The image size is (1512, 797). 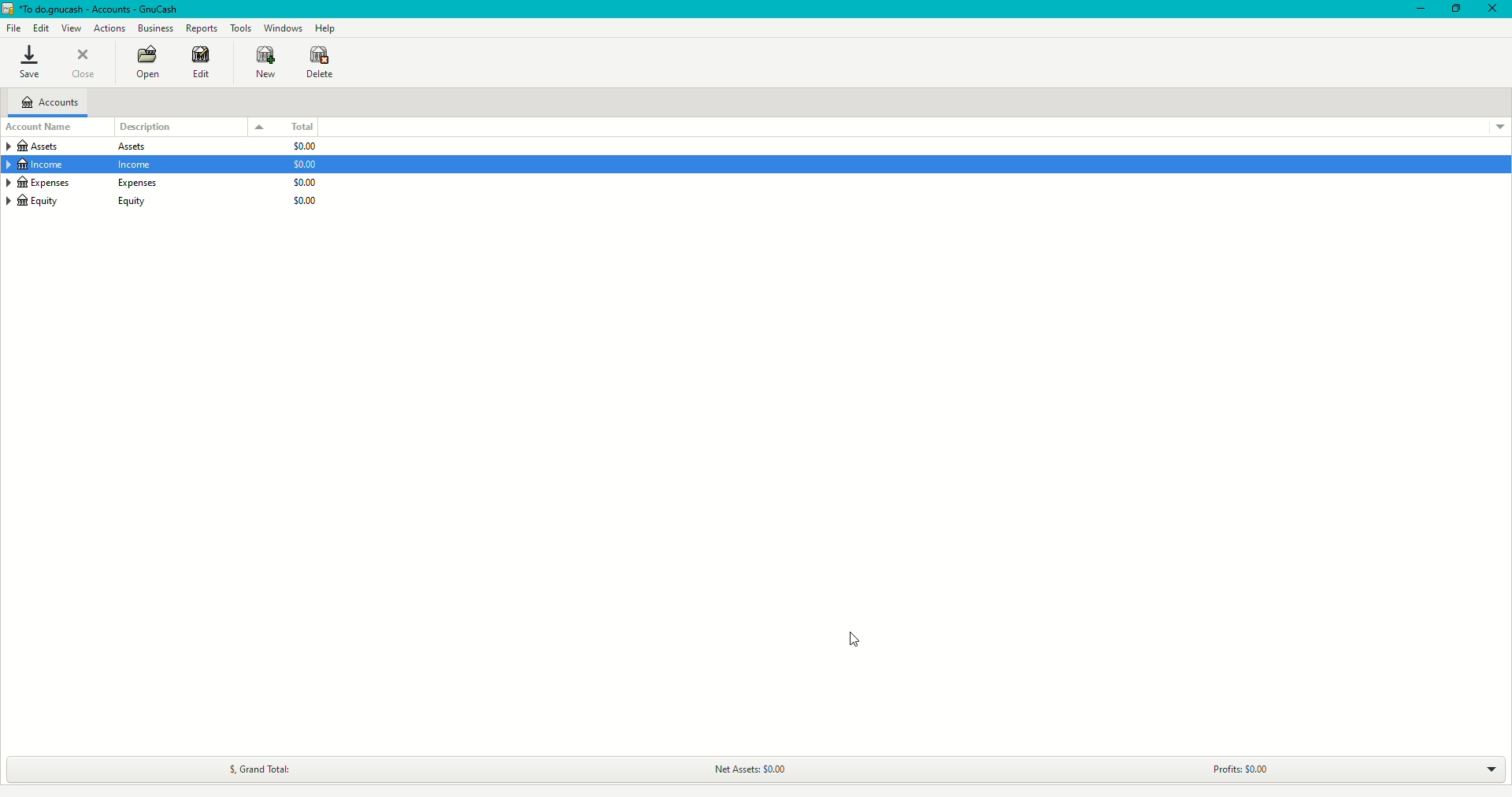 I want to click on Net Assets, so click(x=747, y=769).